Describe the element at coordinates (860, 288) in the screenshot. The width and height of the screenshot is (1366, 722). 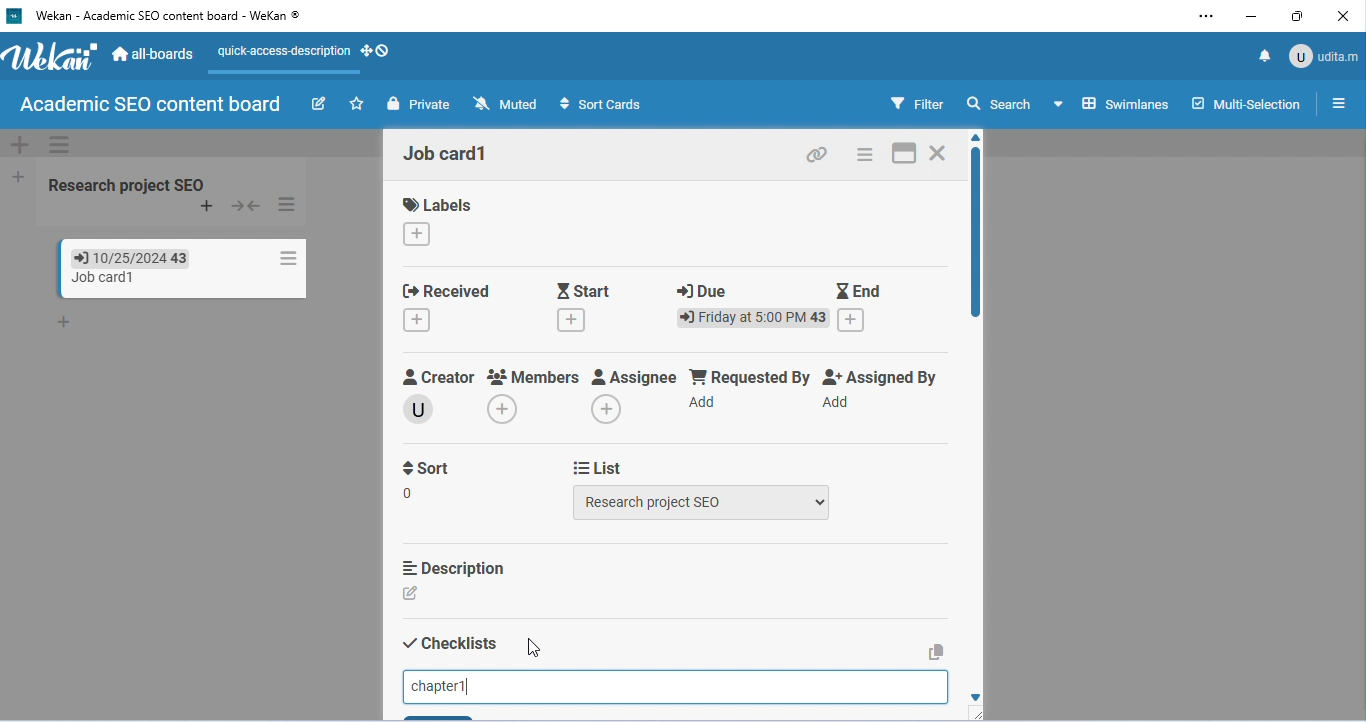
I see `end` at that location.